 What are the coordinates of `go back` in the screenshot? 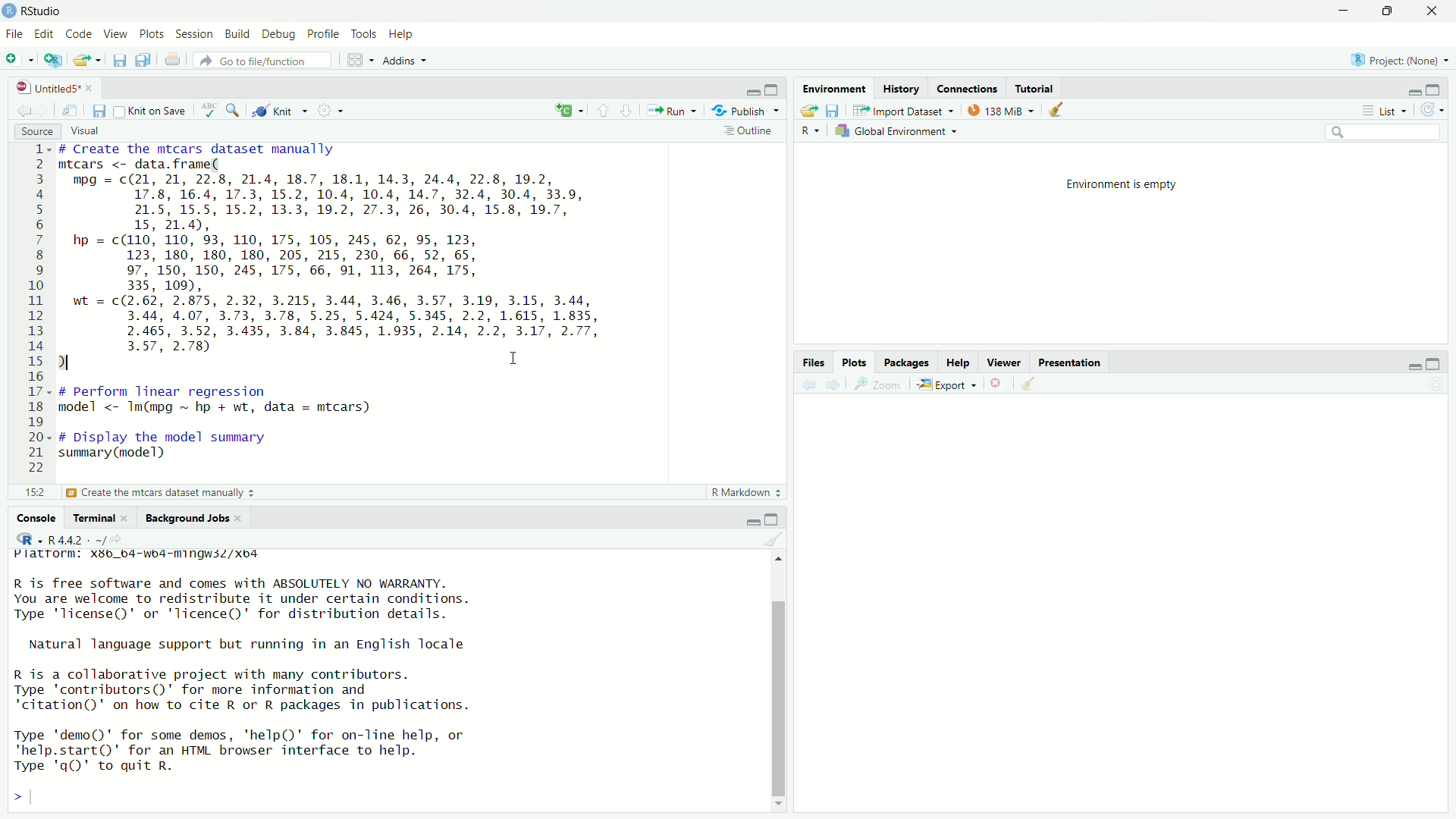 It's located at (22, 114).